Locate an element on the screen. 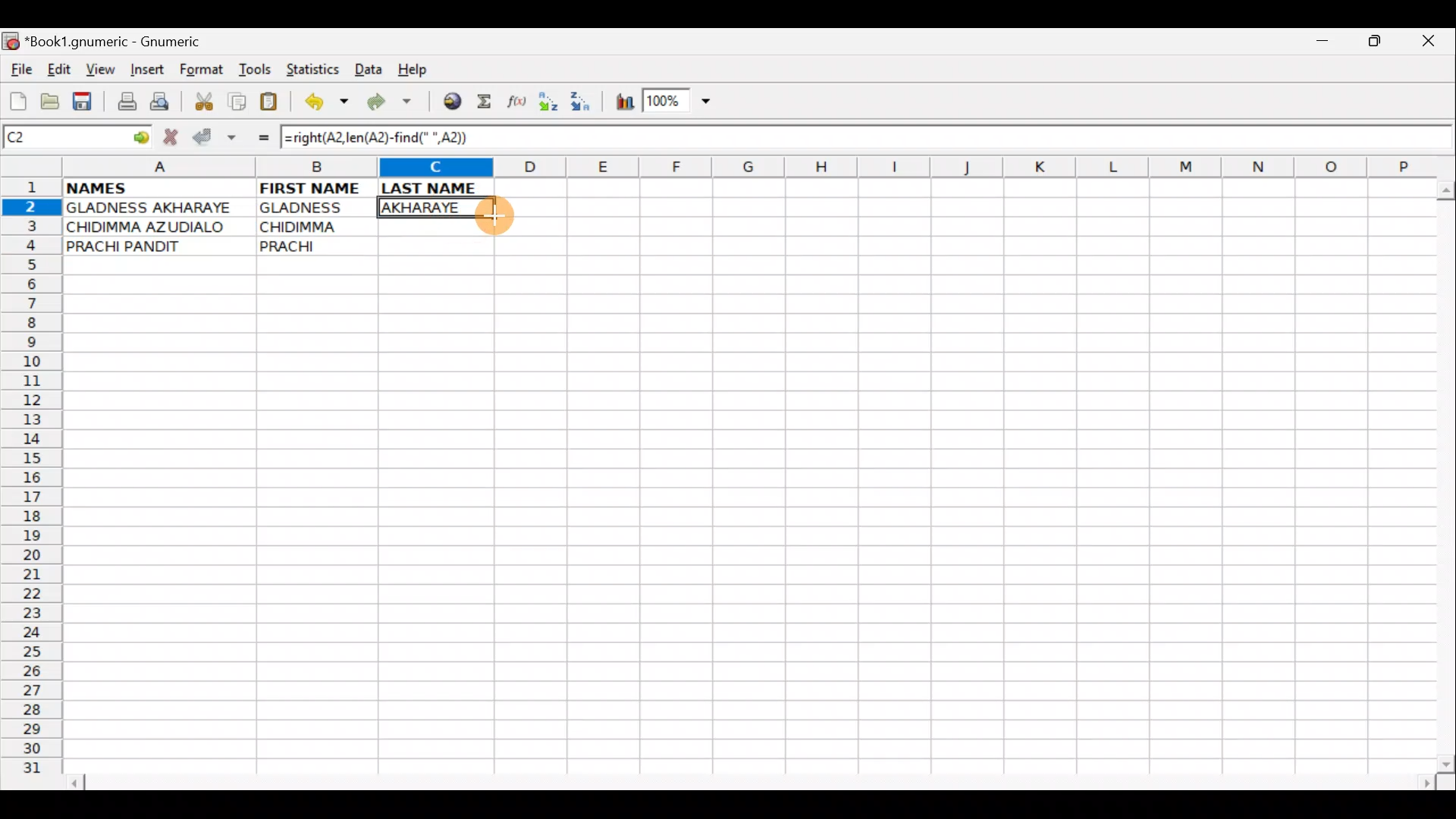 This screenshot has height=819, width=1456. Save current workbook is located at coordinates (86, 102).